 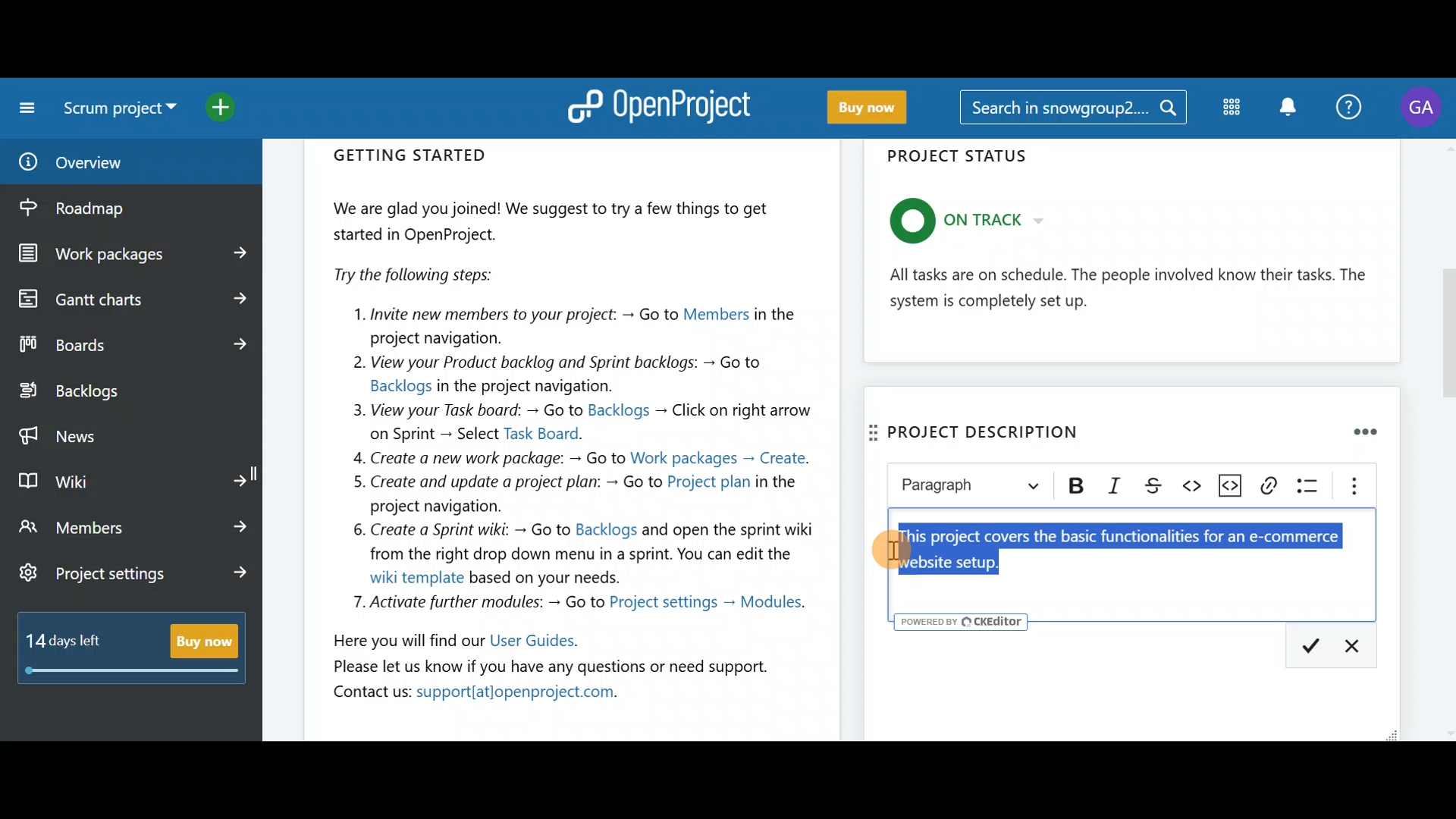 I want to click on Code, so click(x=1186, y=485).